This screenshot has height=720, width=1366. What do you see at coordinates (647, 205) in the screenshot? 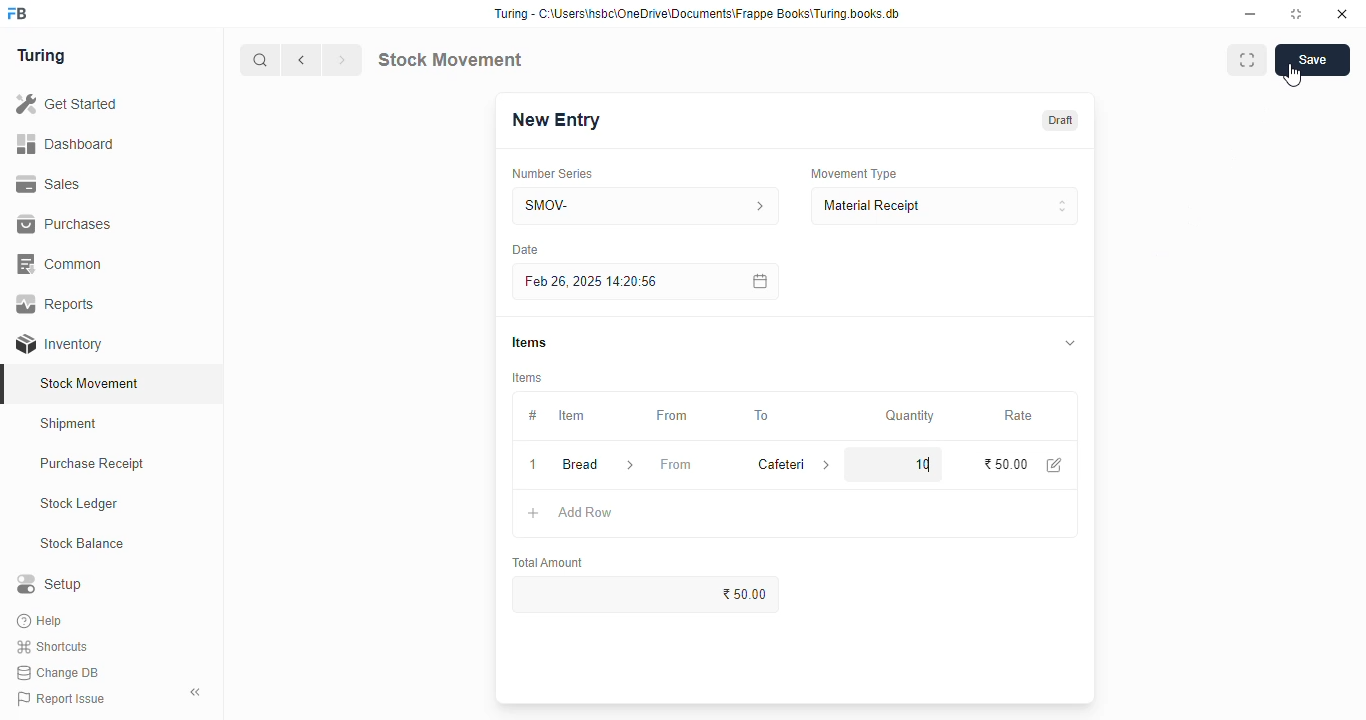
I see `SMOV-` at bounding box center [647, 205].